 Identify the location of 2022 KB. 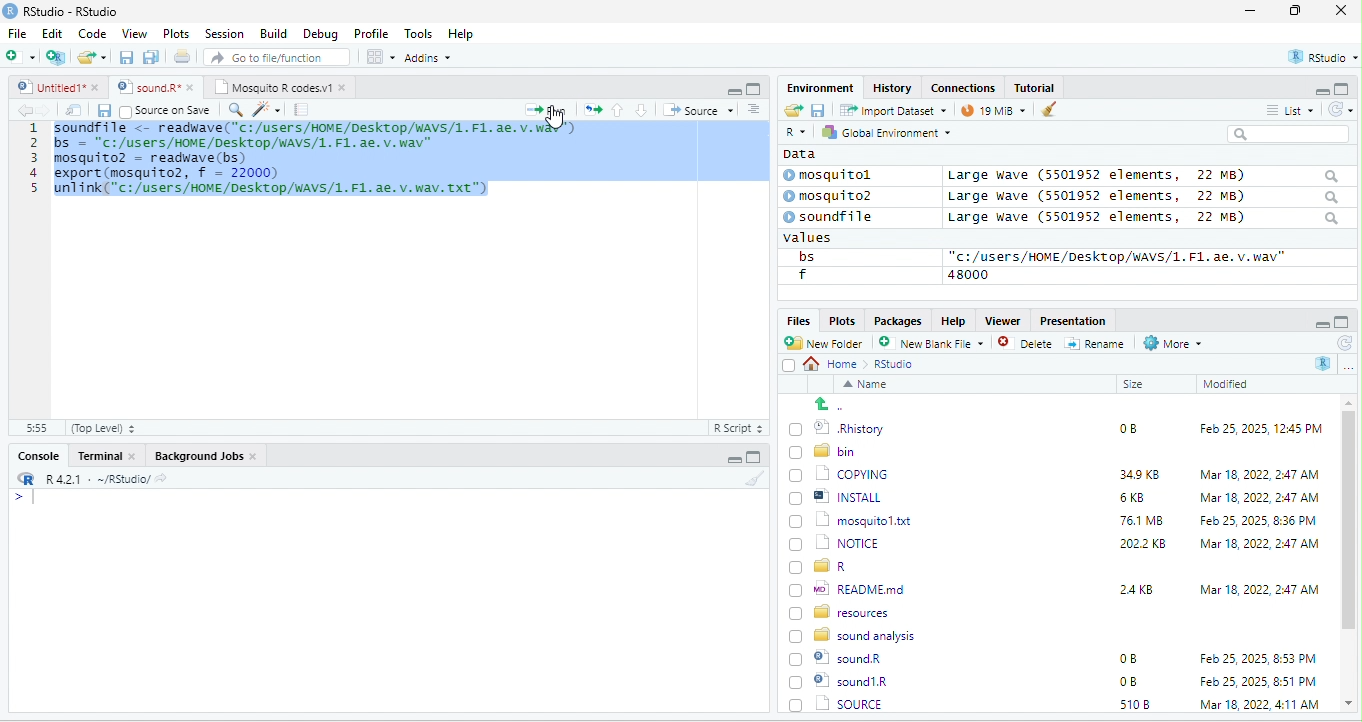
(1144, 545).